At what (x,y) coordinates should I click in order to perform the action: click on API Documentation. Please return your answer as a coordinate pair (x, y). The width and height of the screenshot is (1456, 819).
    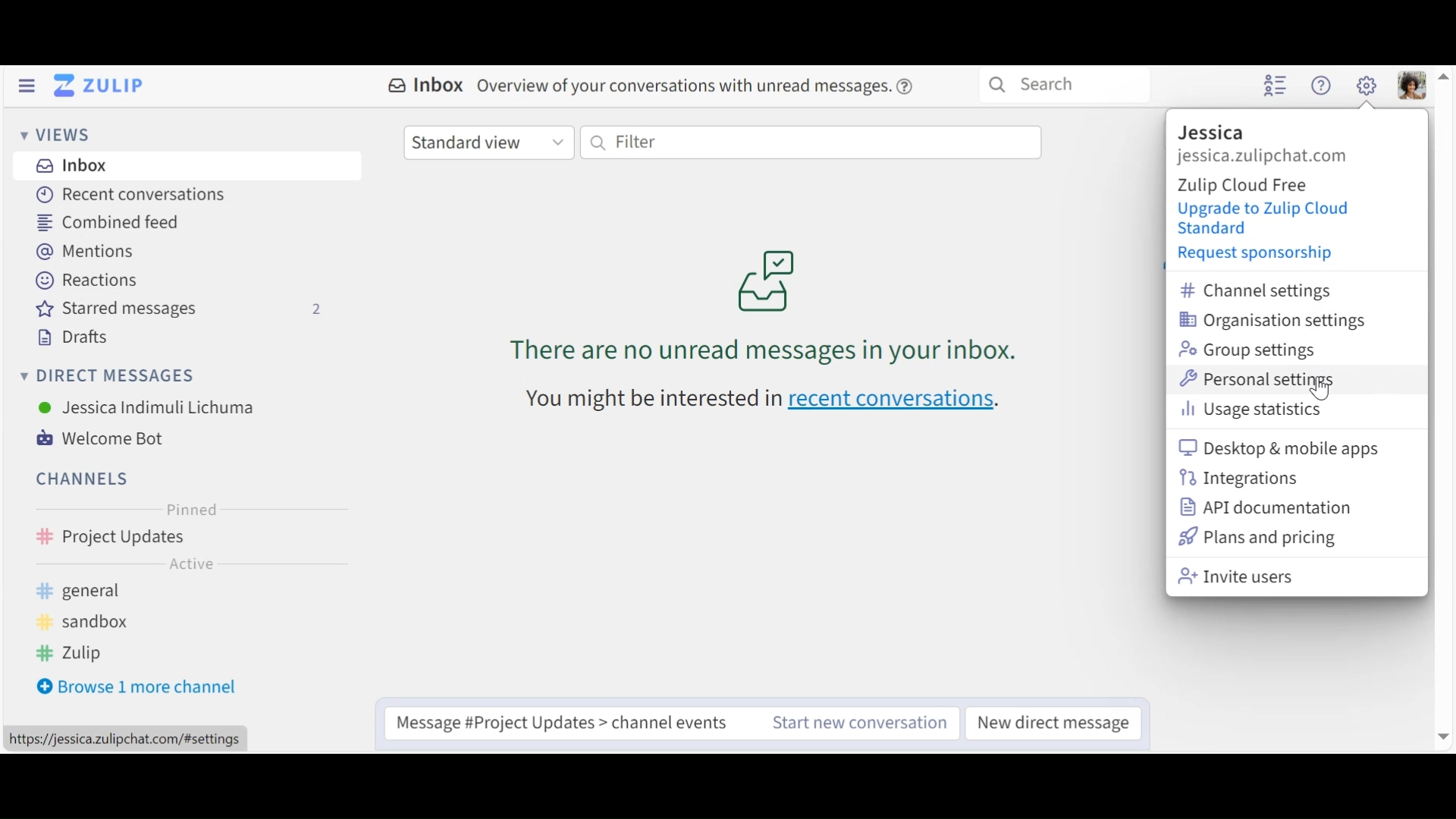
    Looking at the image, I should click on (1266, 509).